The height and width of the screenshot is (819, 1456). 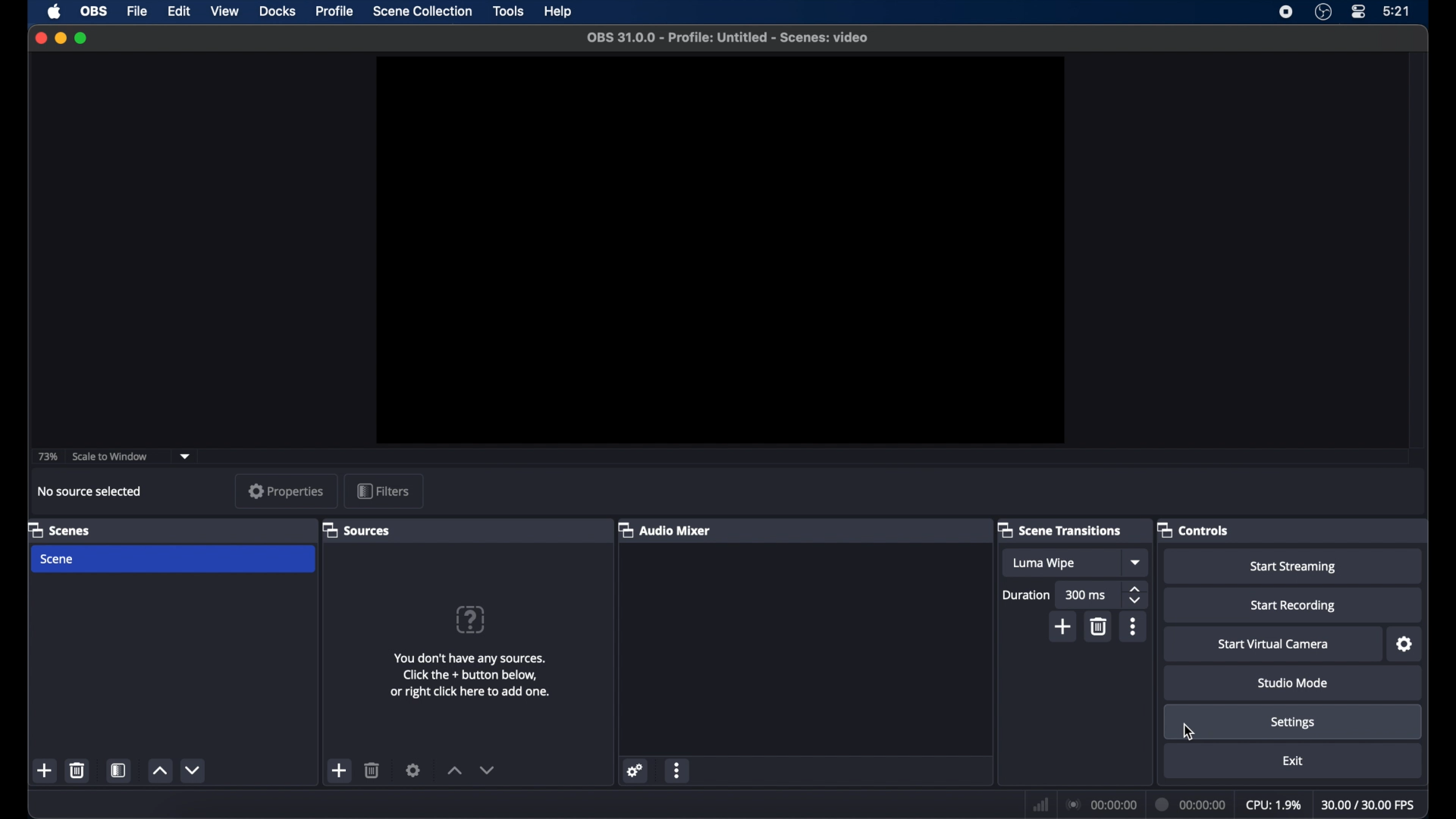 I want to click on 300 ms, so click(x=1086, y=595).